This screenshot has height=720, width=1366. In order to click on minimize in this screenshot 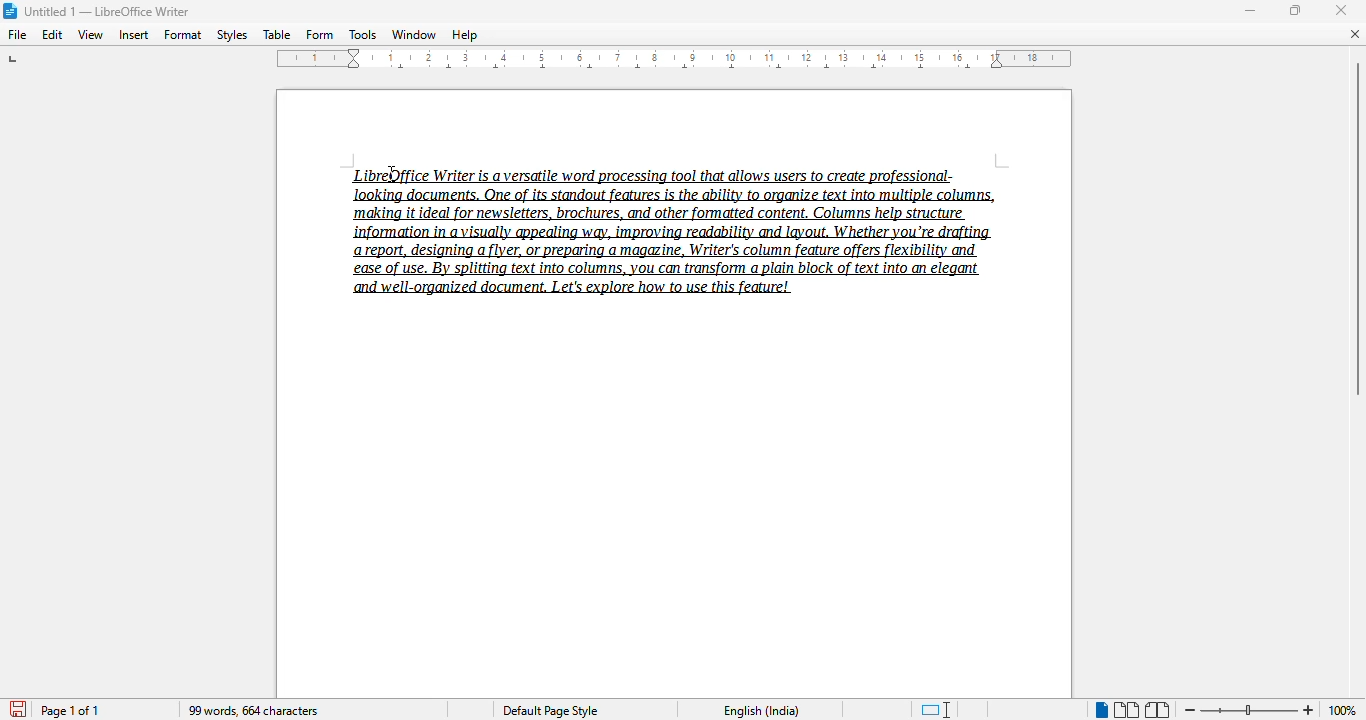, I will do `click(1251, 10)`.